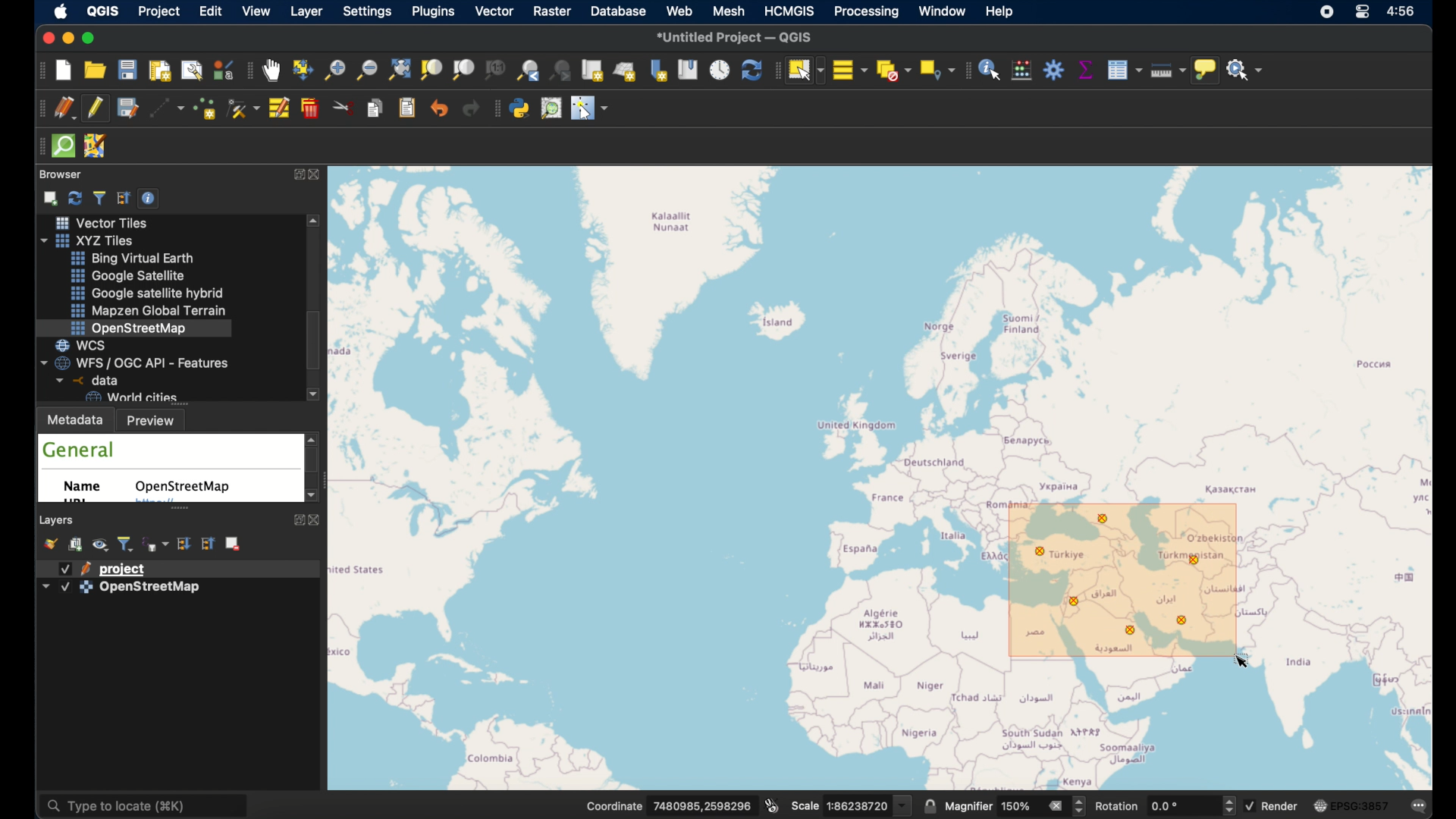 Image resolution: width=1456 pixels, height=819 pixels. Describe the element at coordinates (850, 69) in the screenshot. I see `select all features` at that location.